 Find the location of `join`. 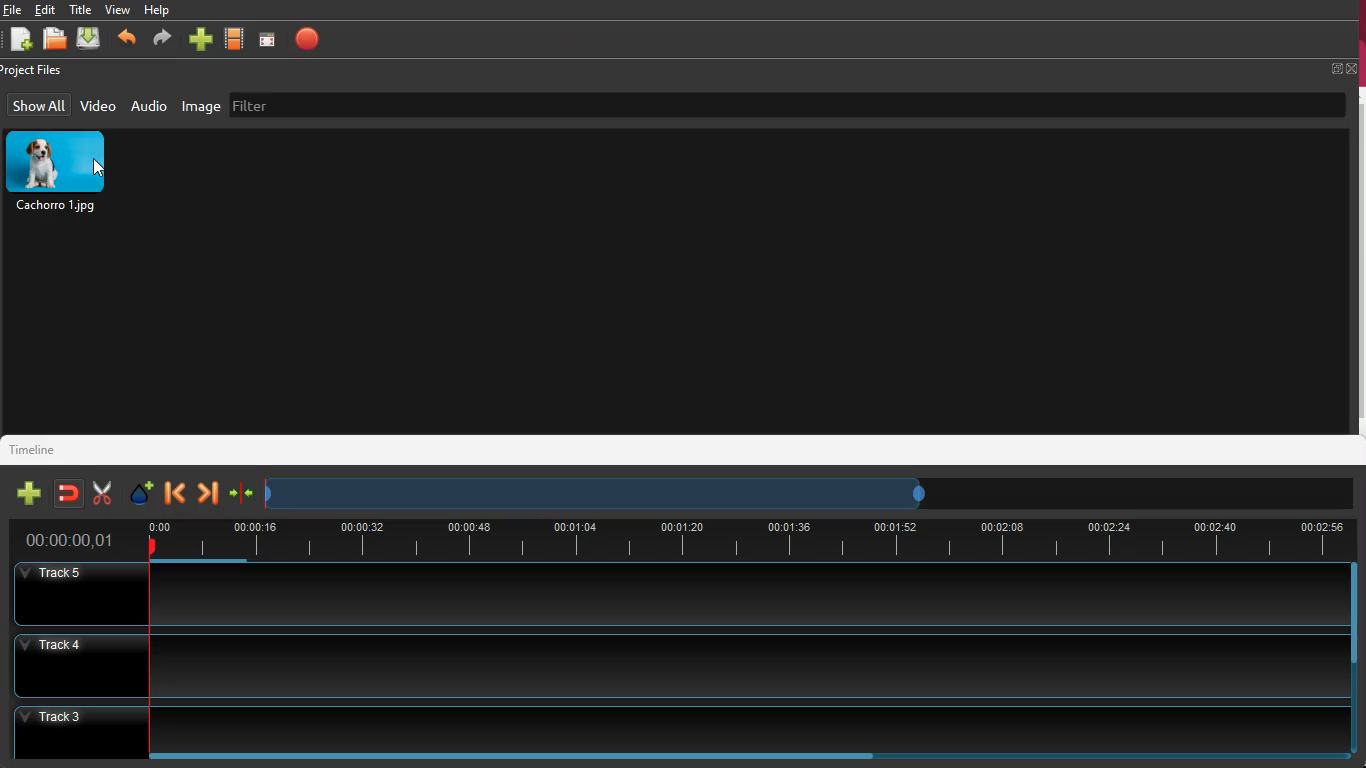

join is located at coordinates (70, 493).